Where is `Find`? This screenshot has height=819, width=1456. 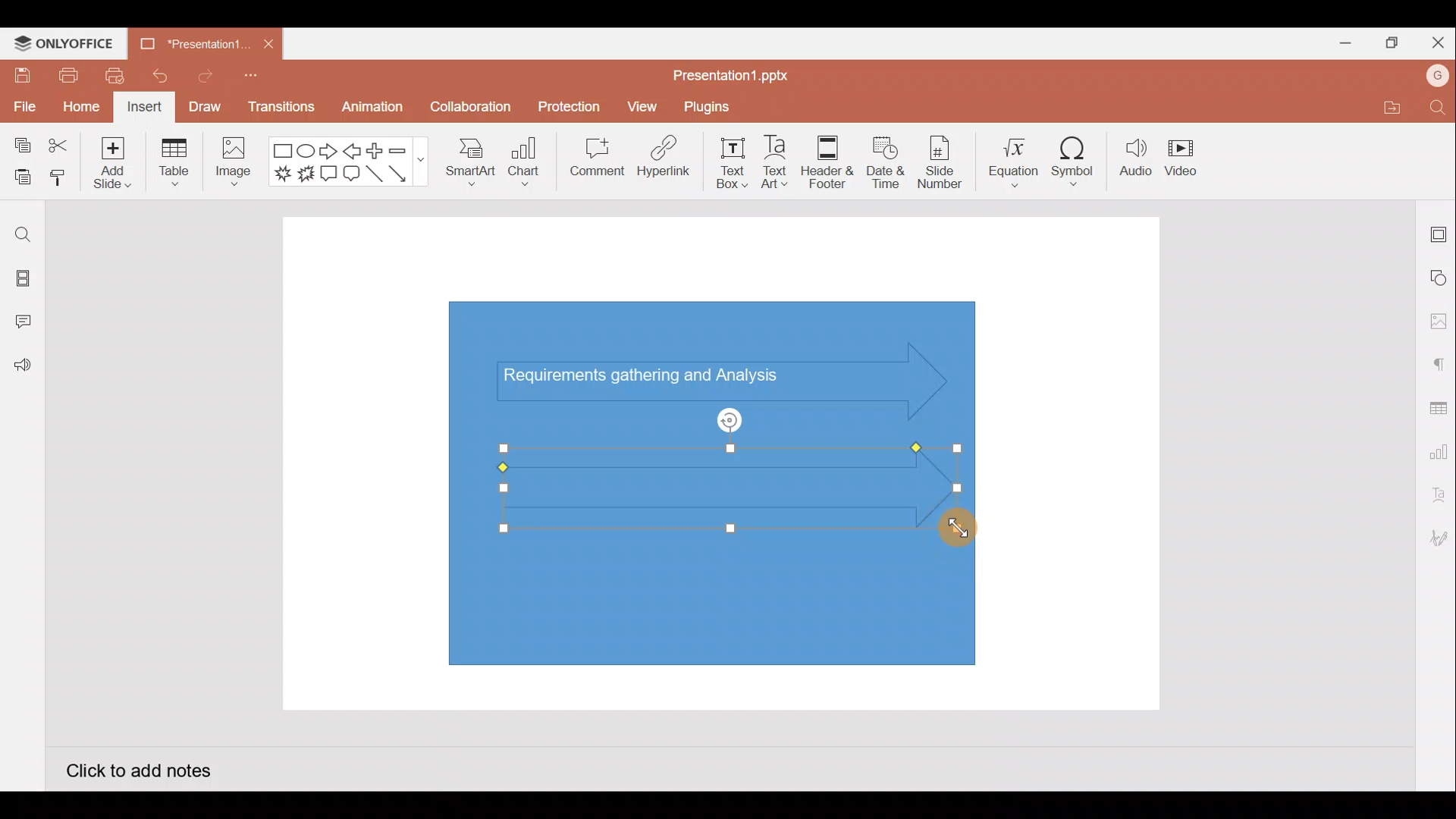
Find is located at coordinates (23, 234).